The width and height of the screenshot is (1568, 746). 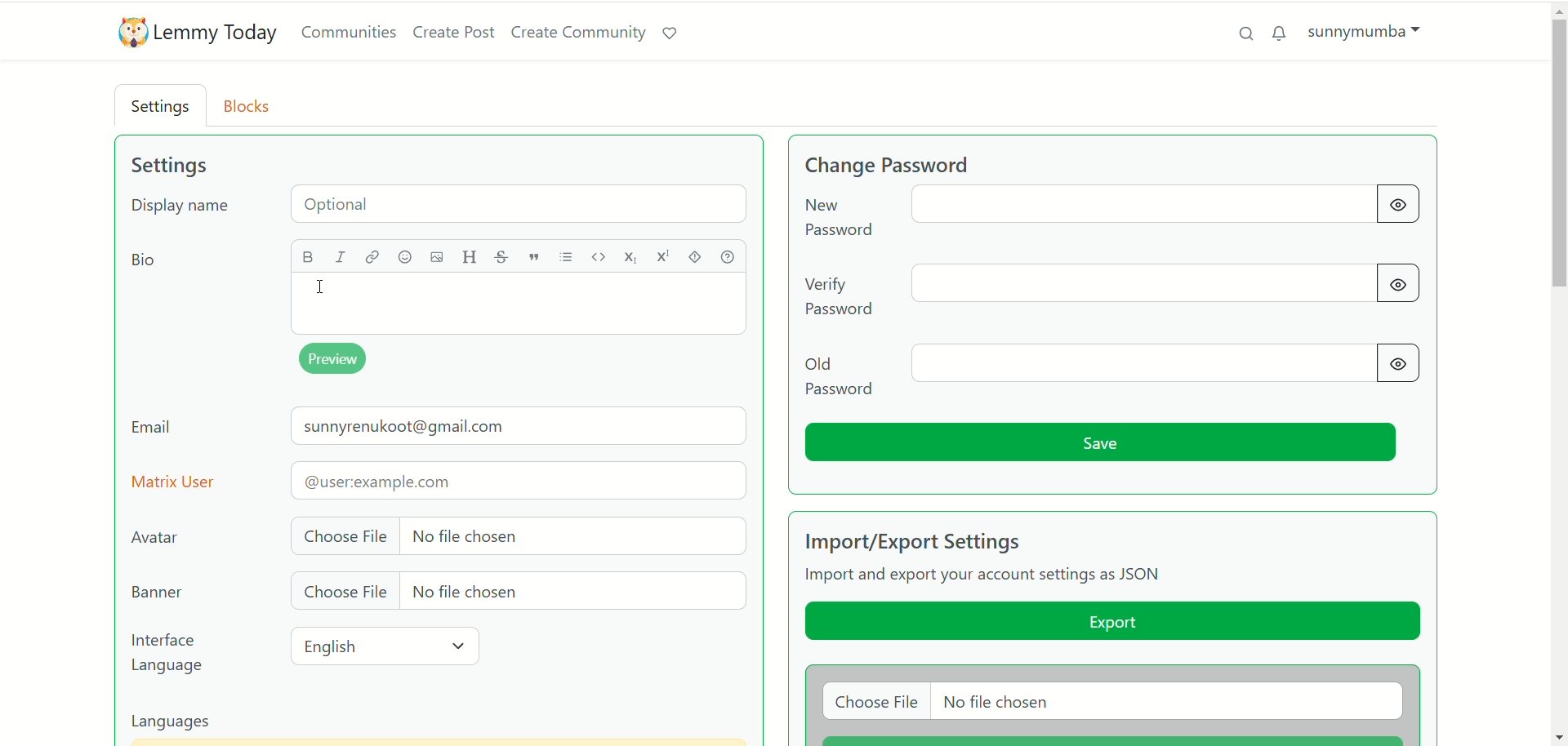 What do you see at coordinates (917, 163) in the screenshot?
I see `change password` at bounding box center [917, 163].